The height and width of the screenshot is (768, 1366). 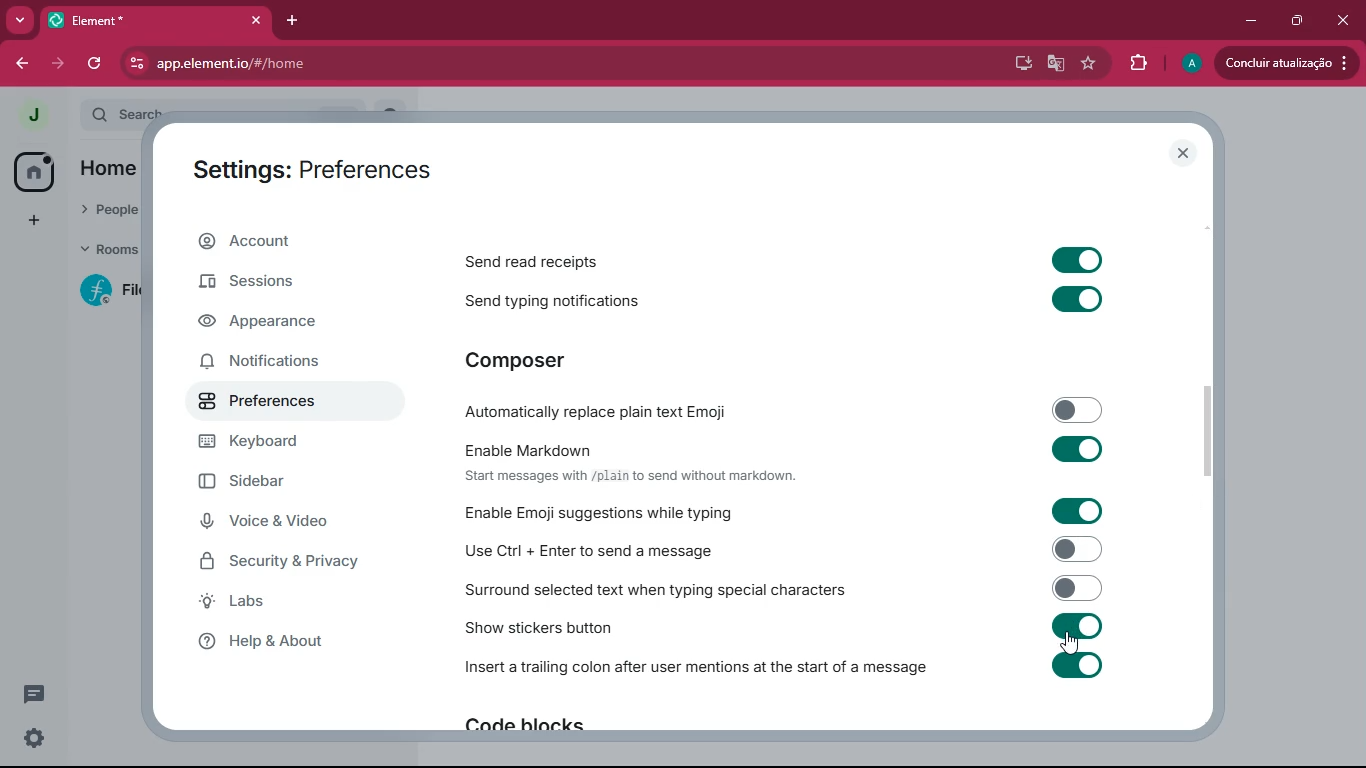 What do you see at coordinates (1295, 19) in the screenshot?
I see `maximize` at bounding box center [1295, 19].